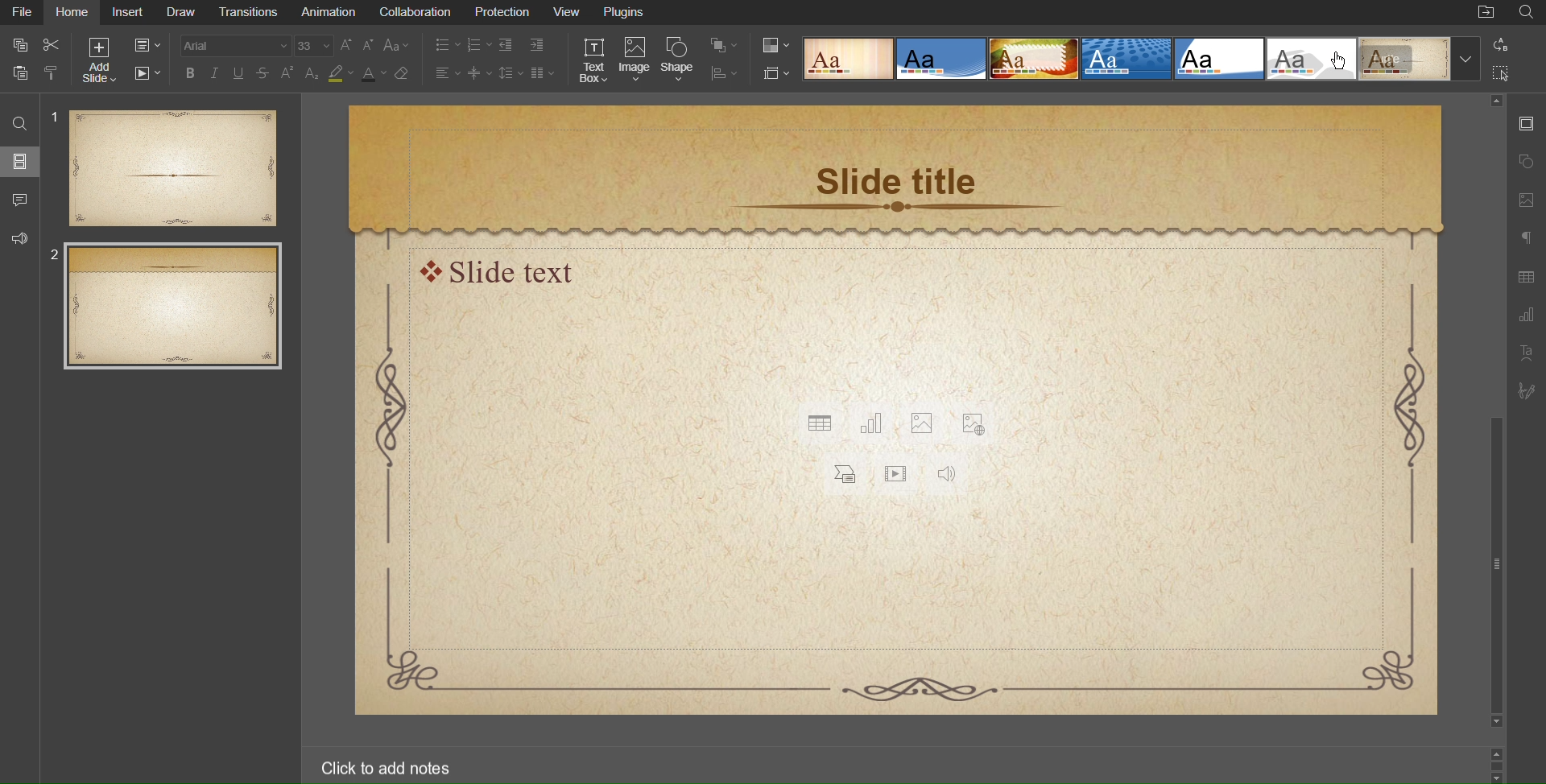  I want to click on New Slide Design, so click(896, 411).